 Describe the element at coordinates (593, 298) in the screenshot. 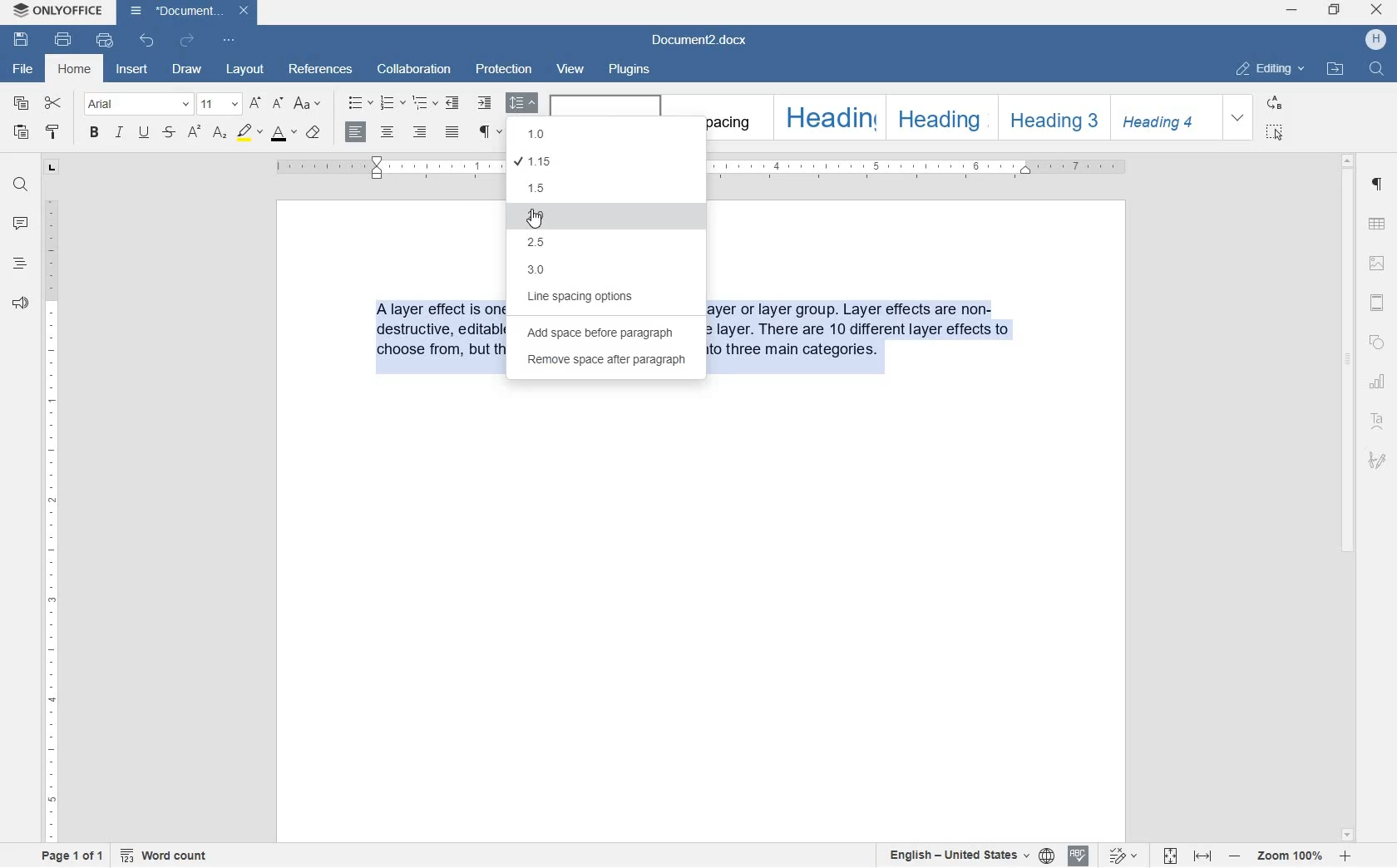

I see `line spacing options` at that location.